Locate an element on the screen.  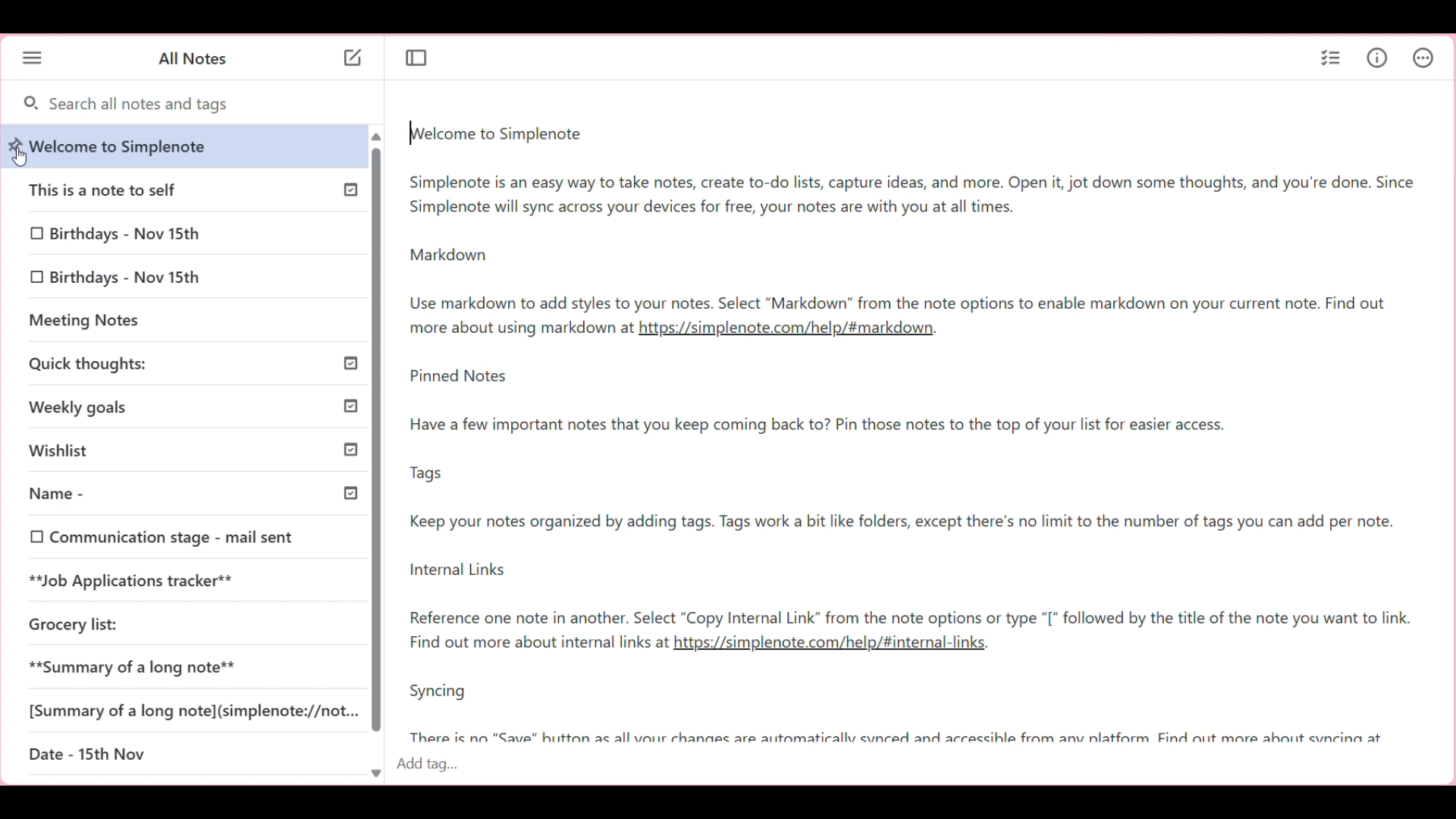
Actions is located at coordinates (1423, 56).